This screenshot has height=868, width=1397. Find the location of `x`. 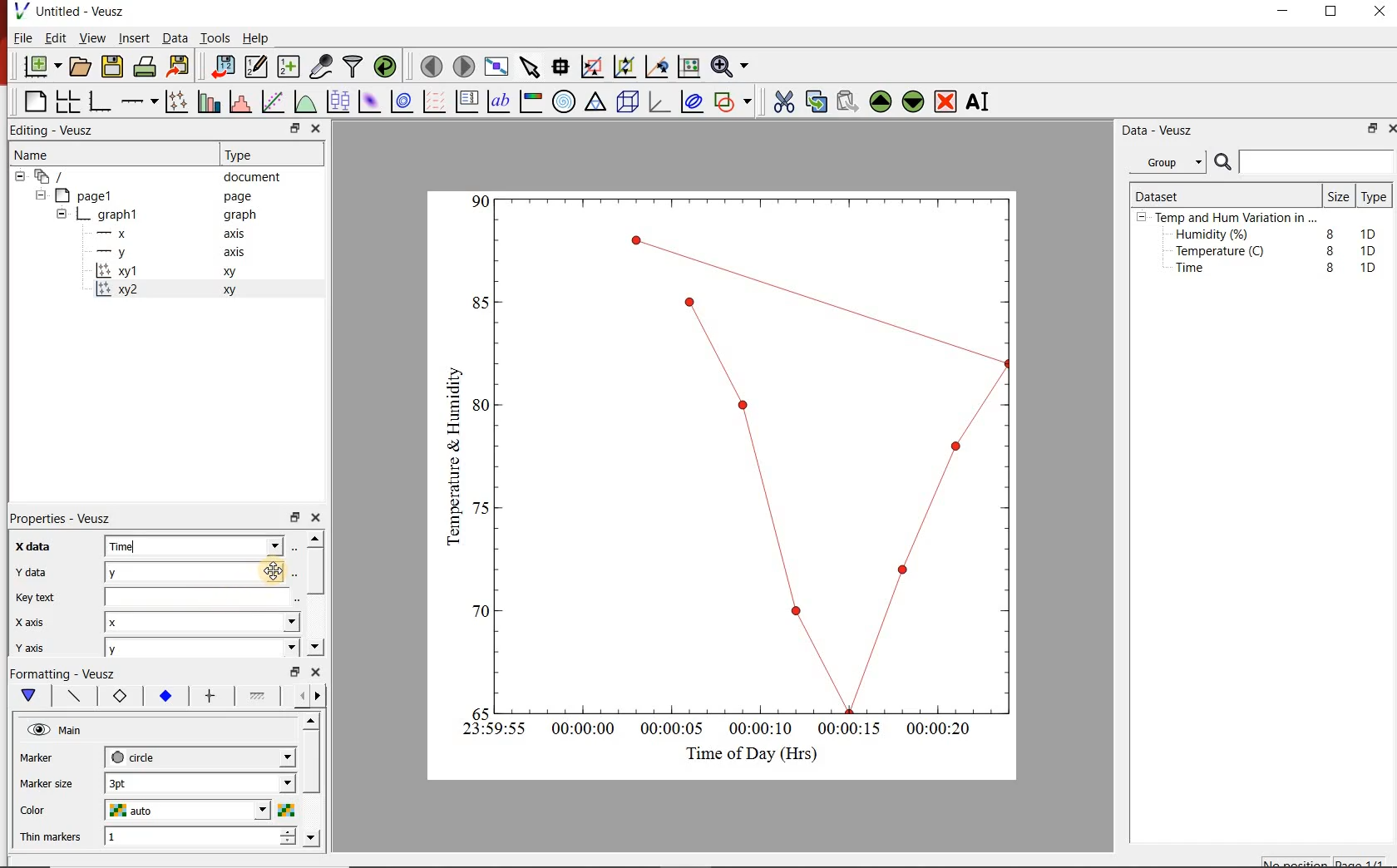

x is located at coordinates (120, 234).